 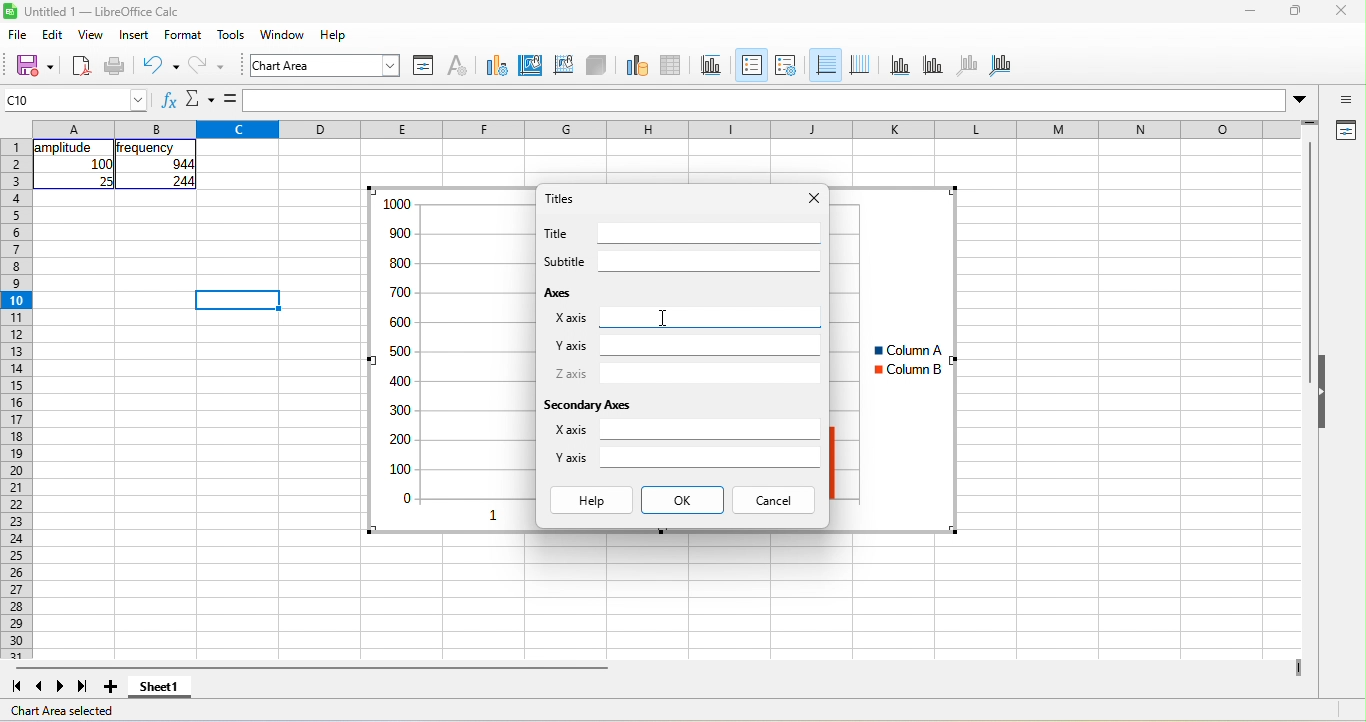 What do you see at coordinates (563, 66) in the screenshot?
I see `chart wall` at bounding box center [563, 66].